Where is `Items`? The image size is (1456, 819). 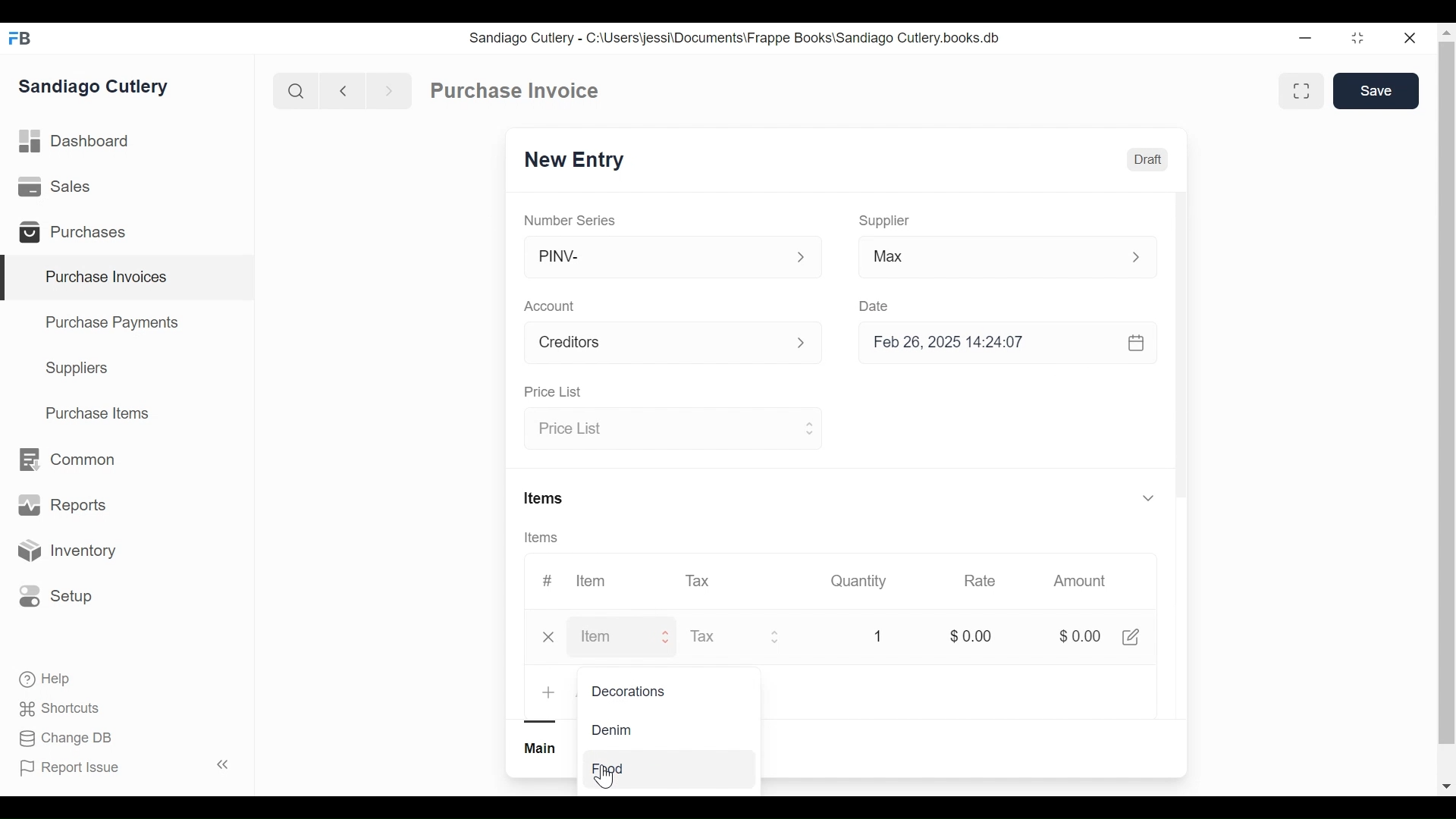 Items is located at coordinates (548, 498).